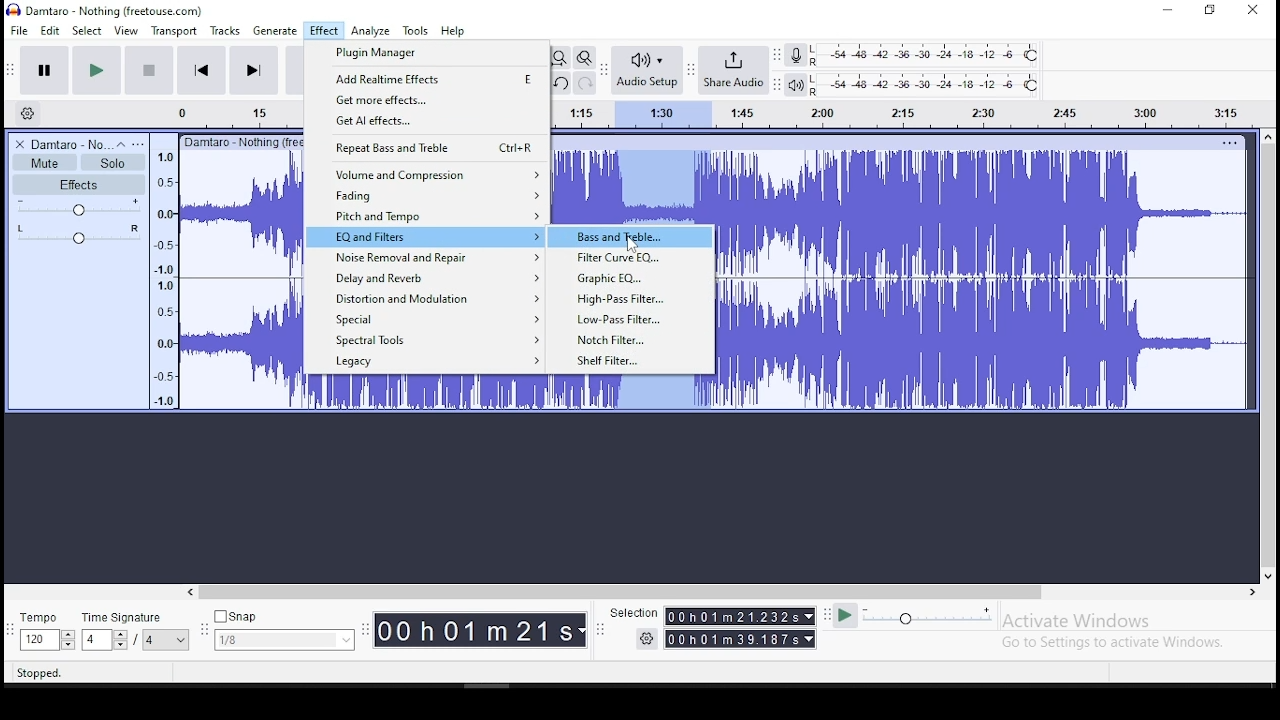  Describe the element at coordinates (475, 630) in the screenshot. I see `0O0hO01m21s` at that location.